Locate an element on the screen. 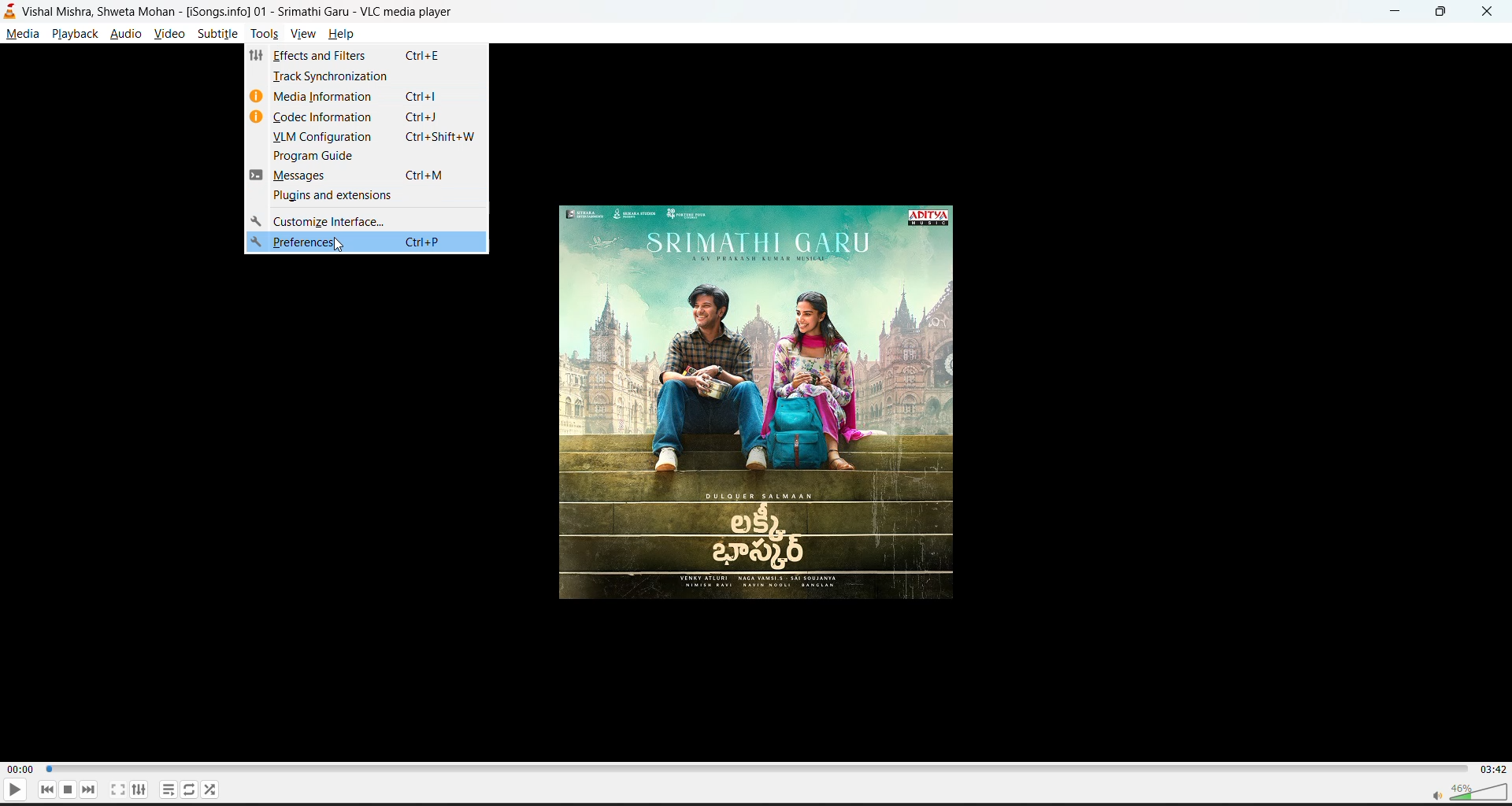 The height and width of the screenshot is (806, 1512). track synchronization is located at coordinates (369, 76).